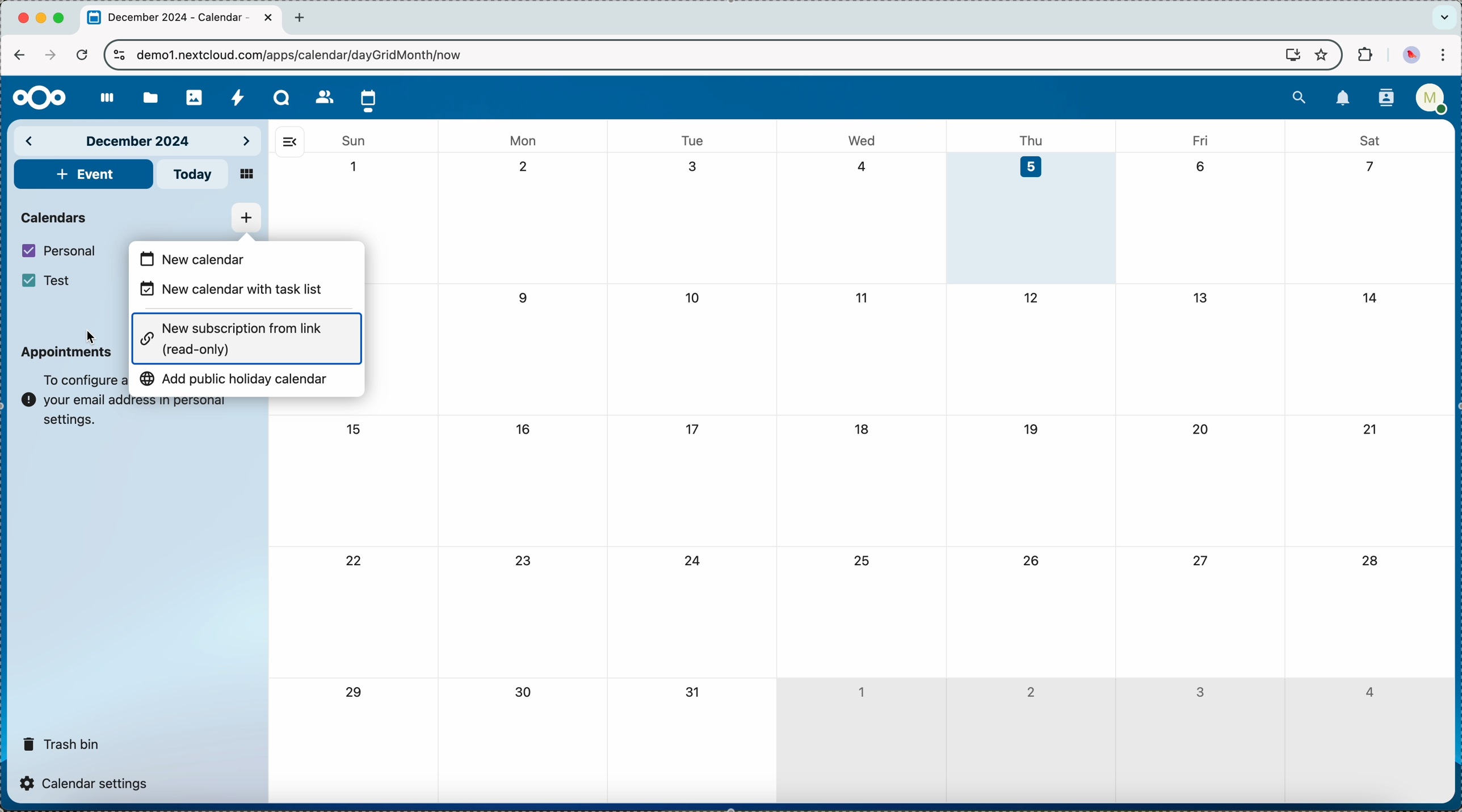 Image resolution: width=1462 pixels, height=812 pixels. Describe the element at coordinates (694, 562) in the screenshot. I see `24` at that location.